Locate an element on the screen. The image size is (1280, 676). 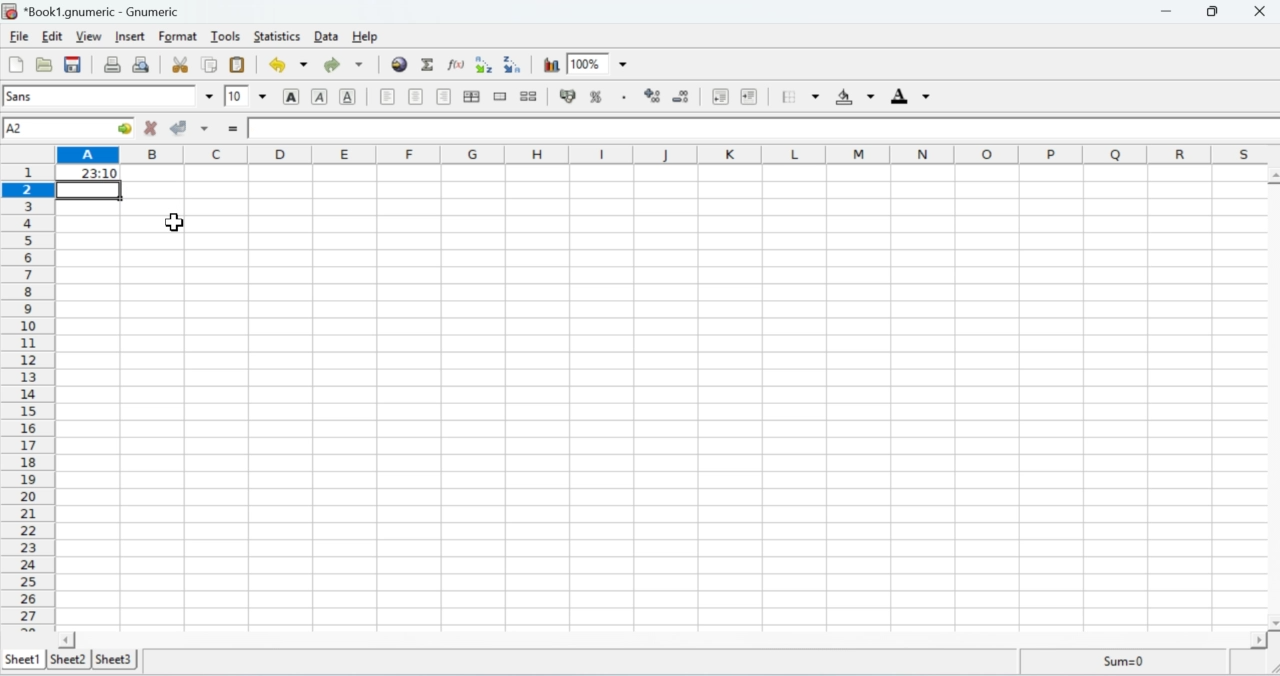
Align left is located at coordinates (384, 97).